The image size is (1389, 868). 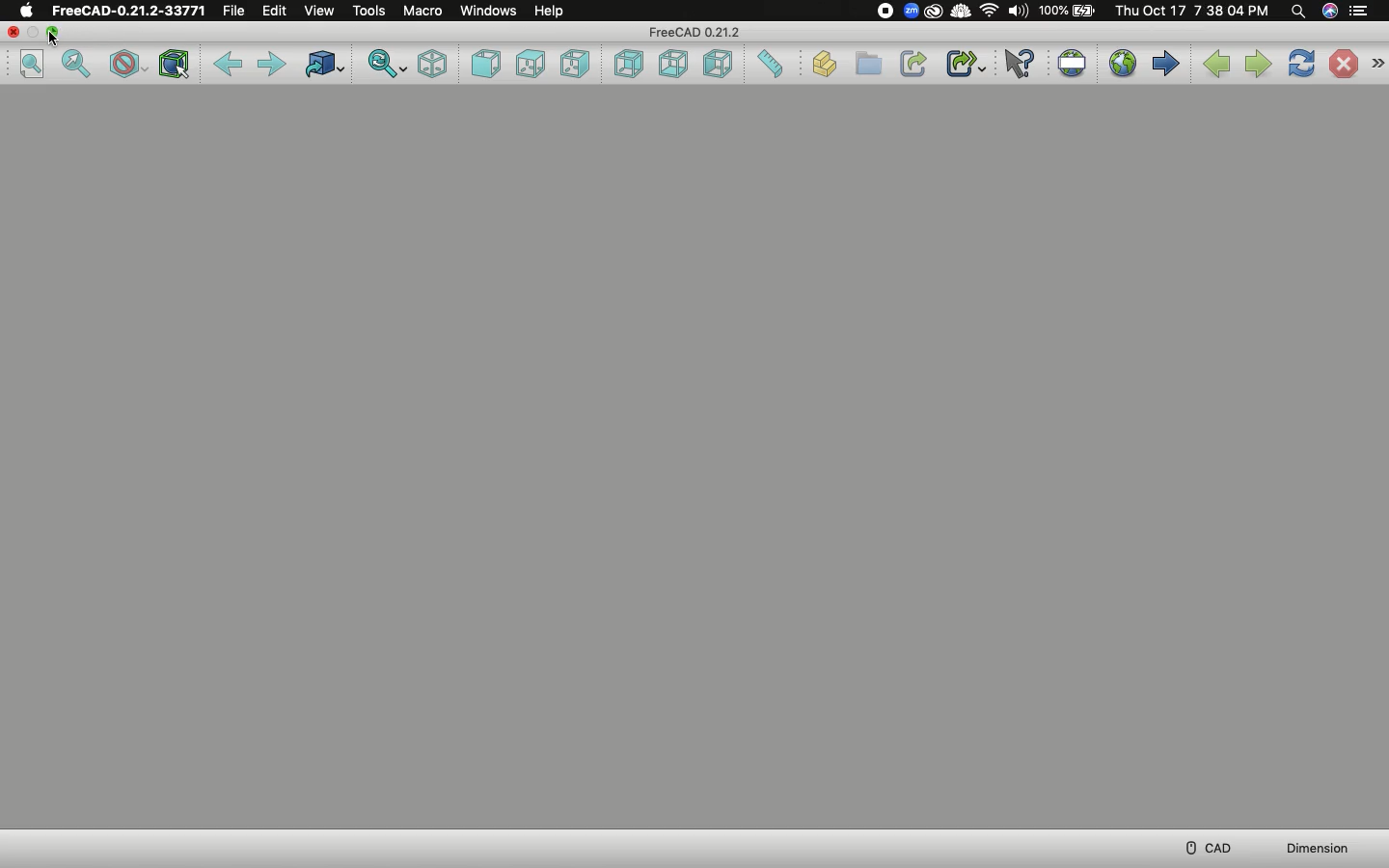 What do you see at coordinates (1327, 11) in the screenshot?
I see `Voice control` at bounding box center [1327, 11].